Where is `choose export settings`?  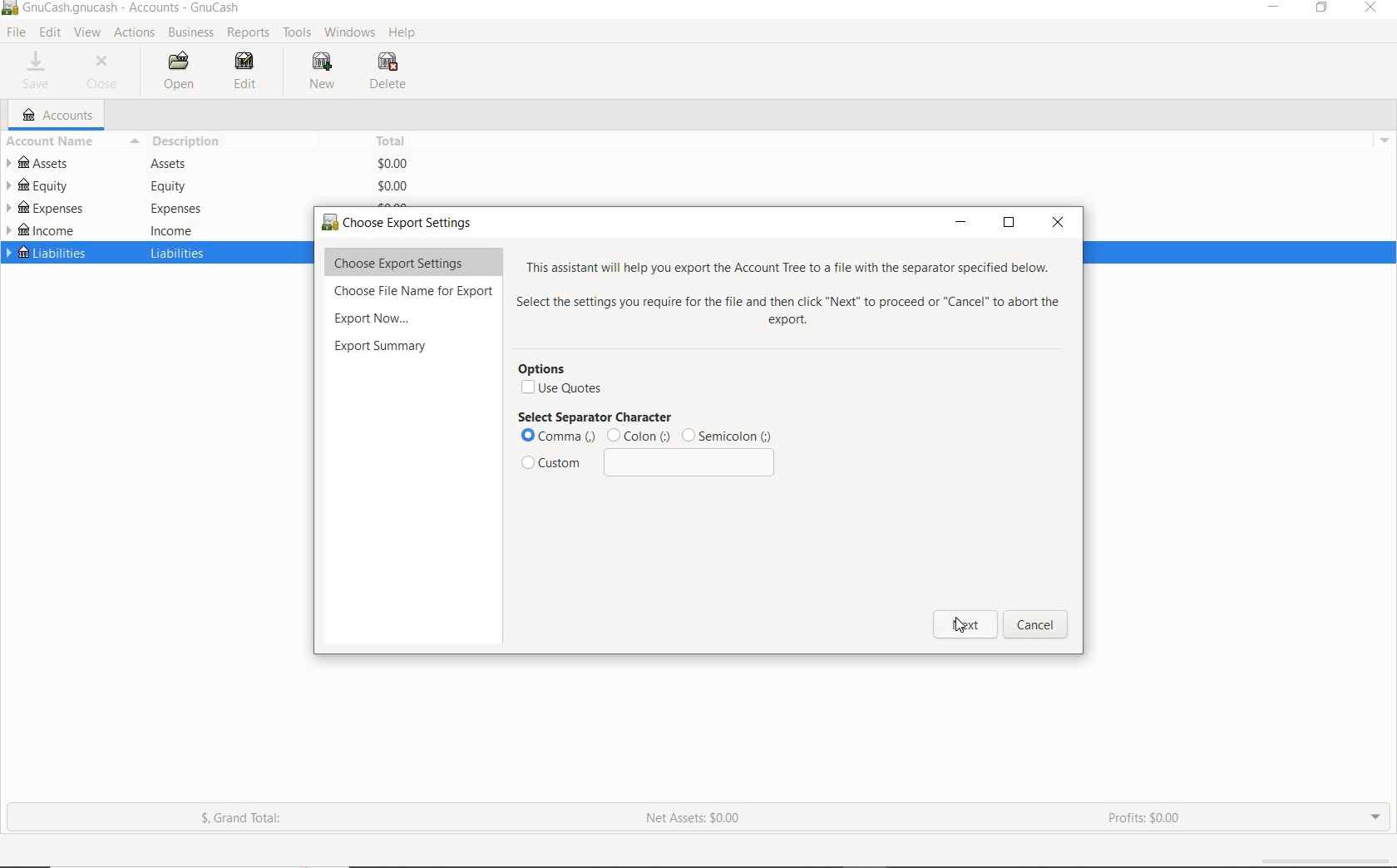 choose export settings is located at coordinates (412, 264).